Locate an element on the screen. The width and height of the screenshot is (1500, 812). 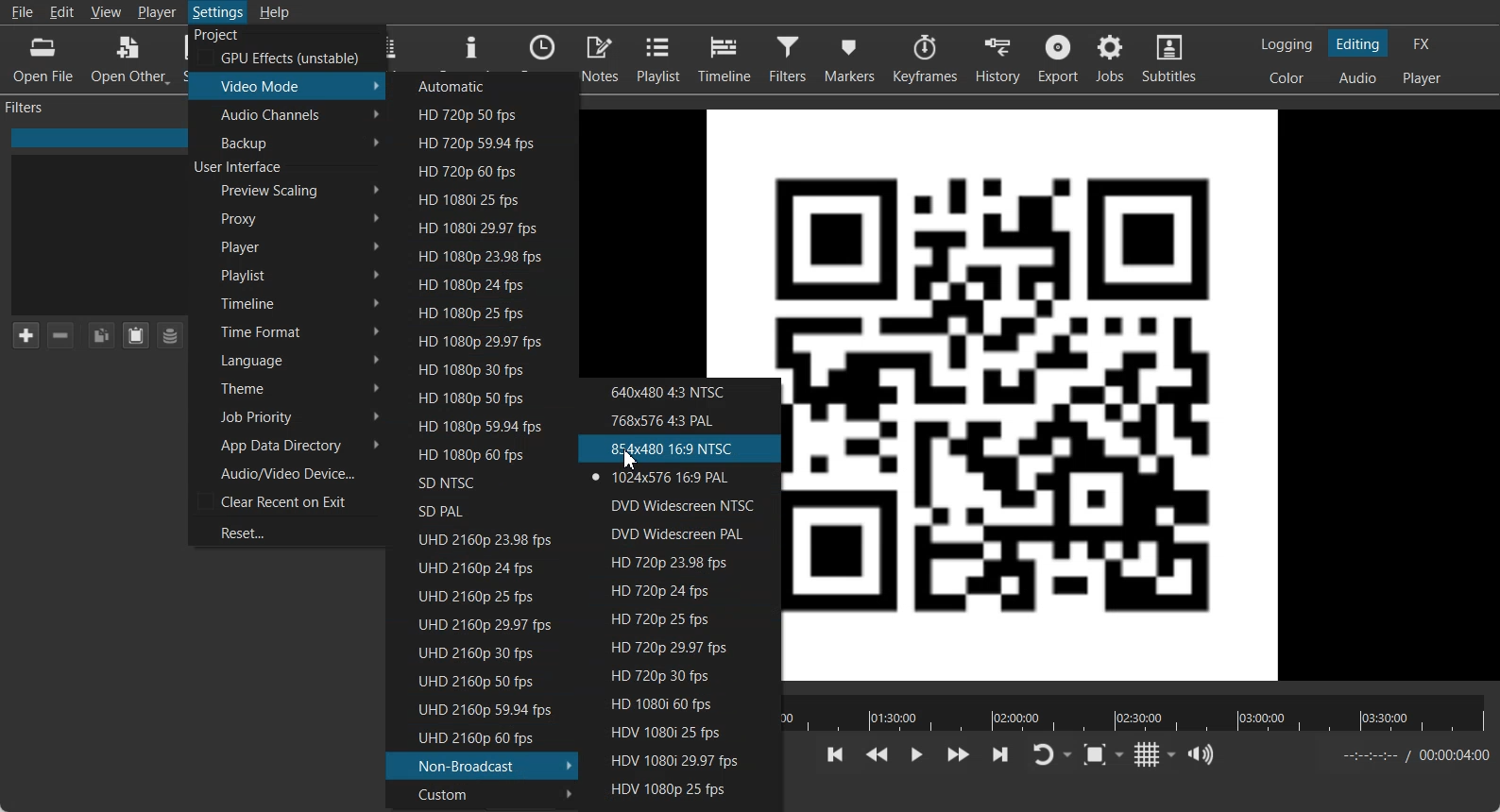
Switch to the Player only layout is located at coordinates (1423, 79).